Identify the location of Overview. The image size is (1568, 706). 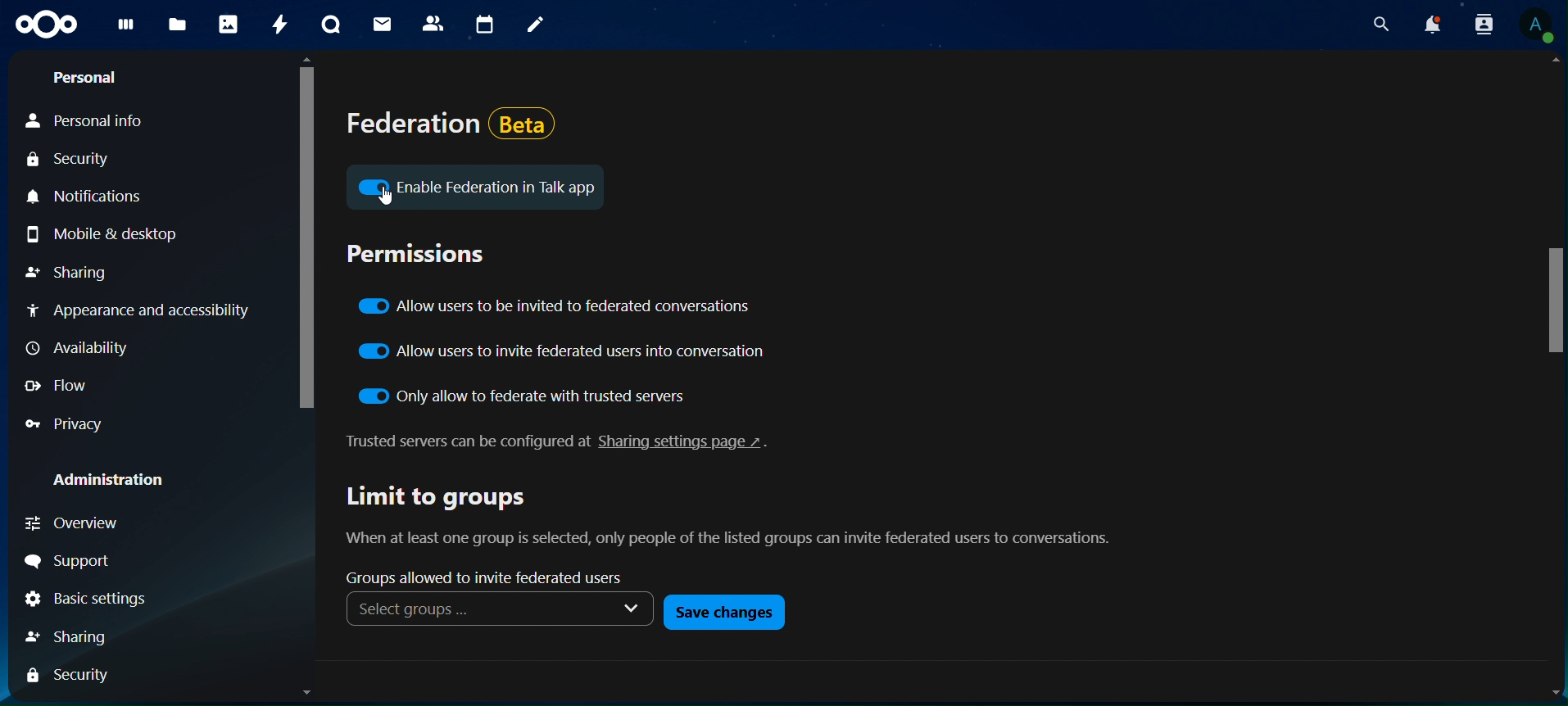
(73, 526).